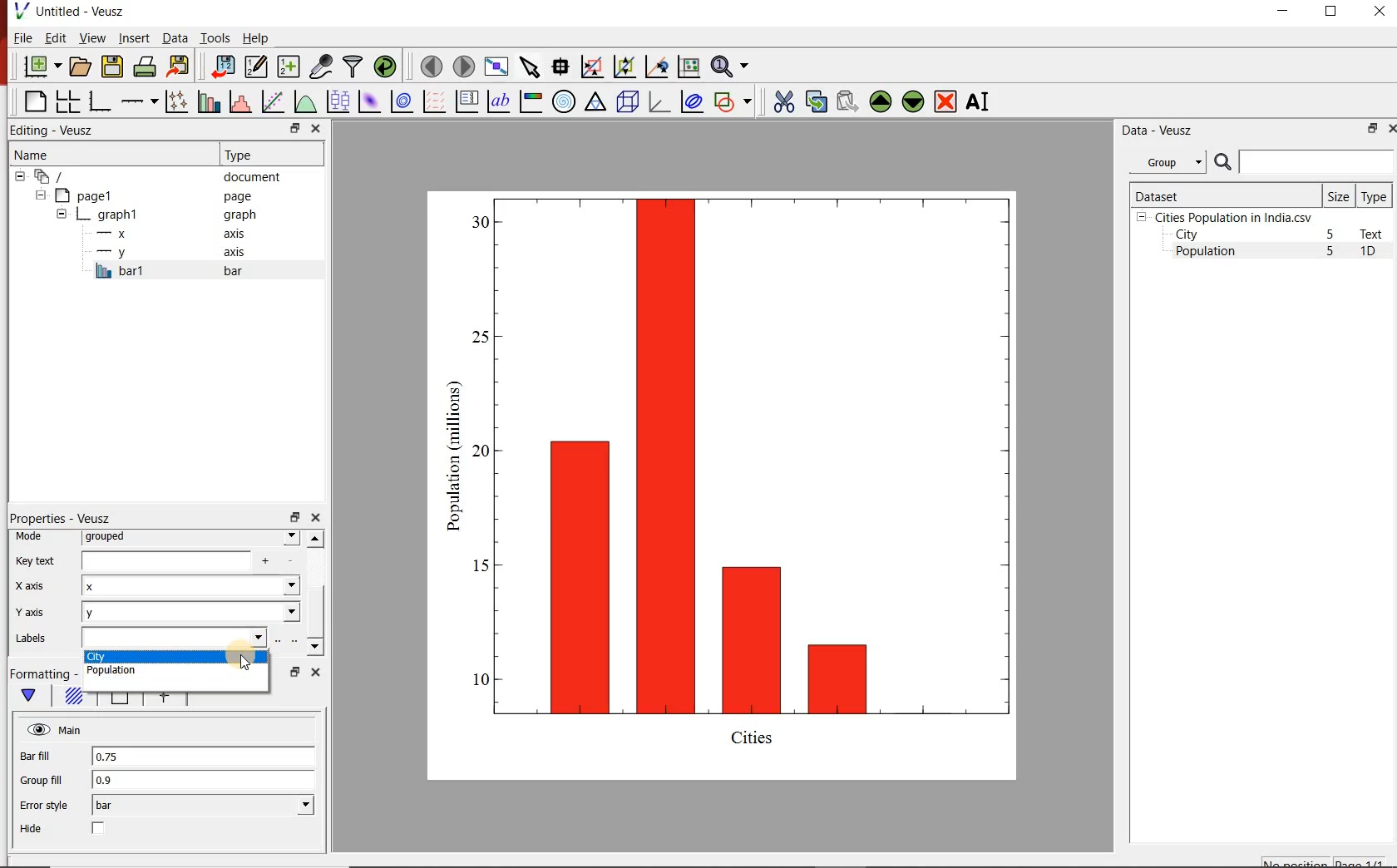 The width and height of the screenshot is (1397, 868). Describe the element at coordinates (466, 101) in the screenshot. I see `plot key` at that location.